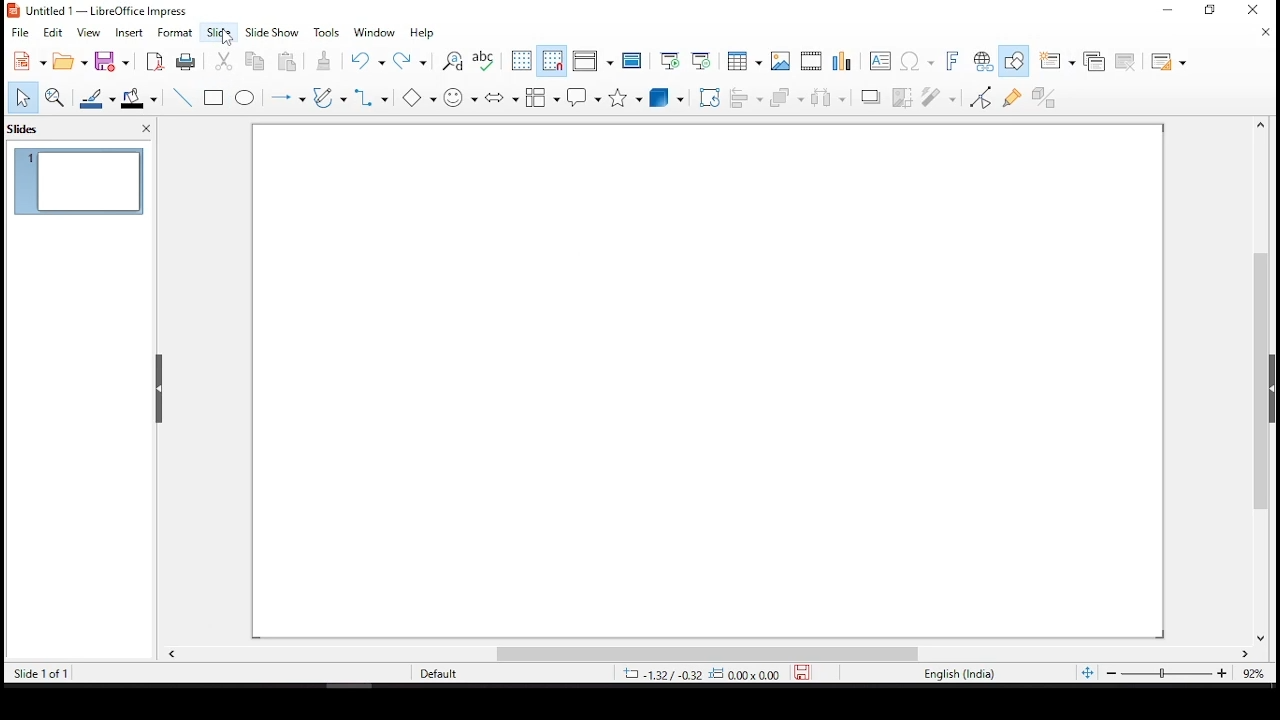 The height and width of the screenshot is (720, 1280). What do you see at coordinates (745, 98) in the screenshot?
I see `align objects` at bounding box center [745, 98].